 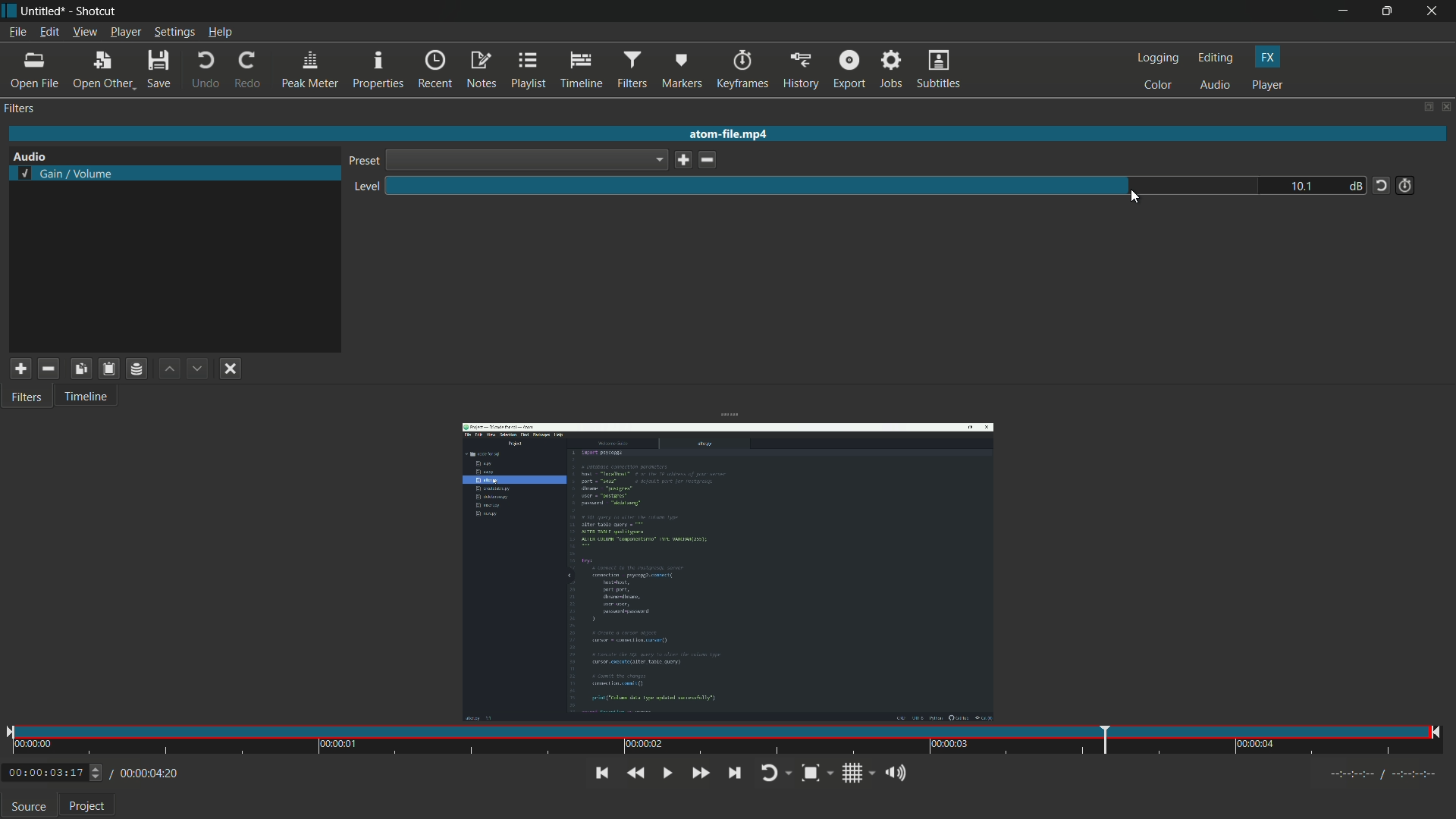 What do you see at coordinates (900, 775) in the screenshot?
I see `show volume control` at bounding box center [900, 775].